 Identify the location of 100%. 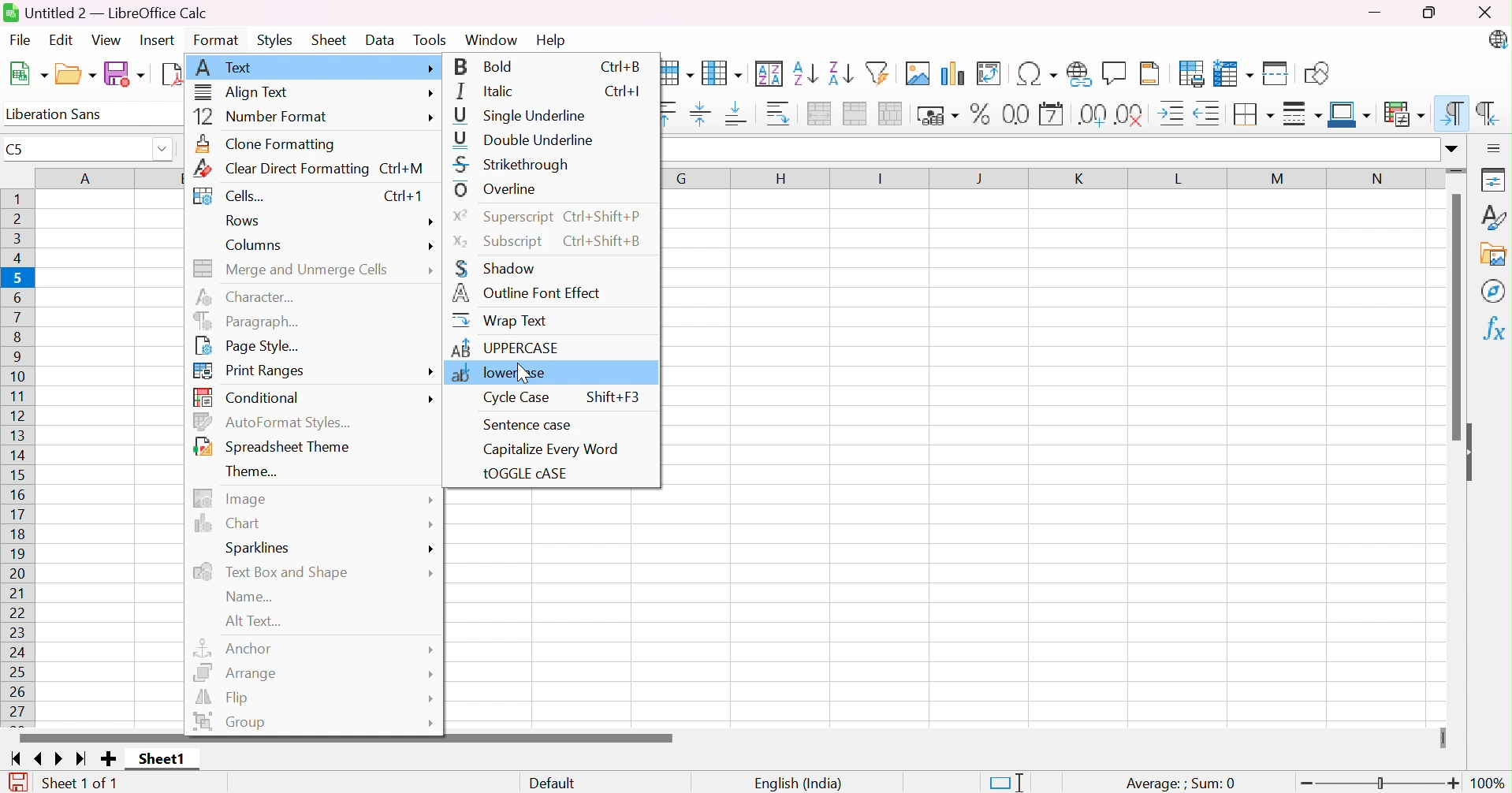
(1492, 784).